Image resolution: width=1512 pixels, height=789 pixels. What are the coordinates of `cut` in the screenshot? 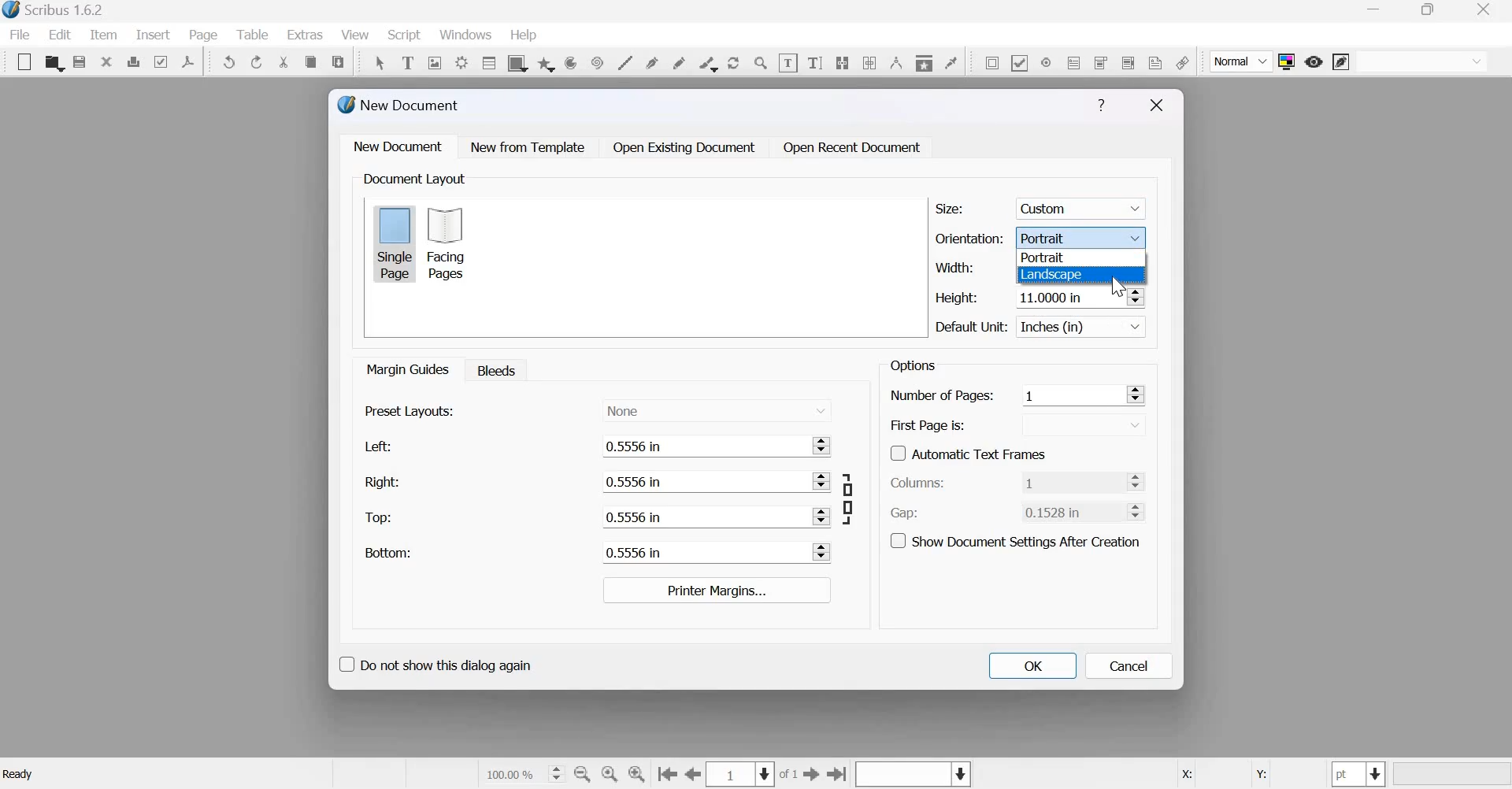 It's located at (284, 62).